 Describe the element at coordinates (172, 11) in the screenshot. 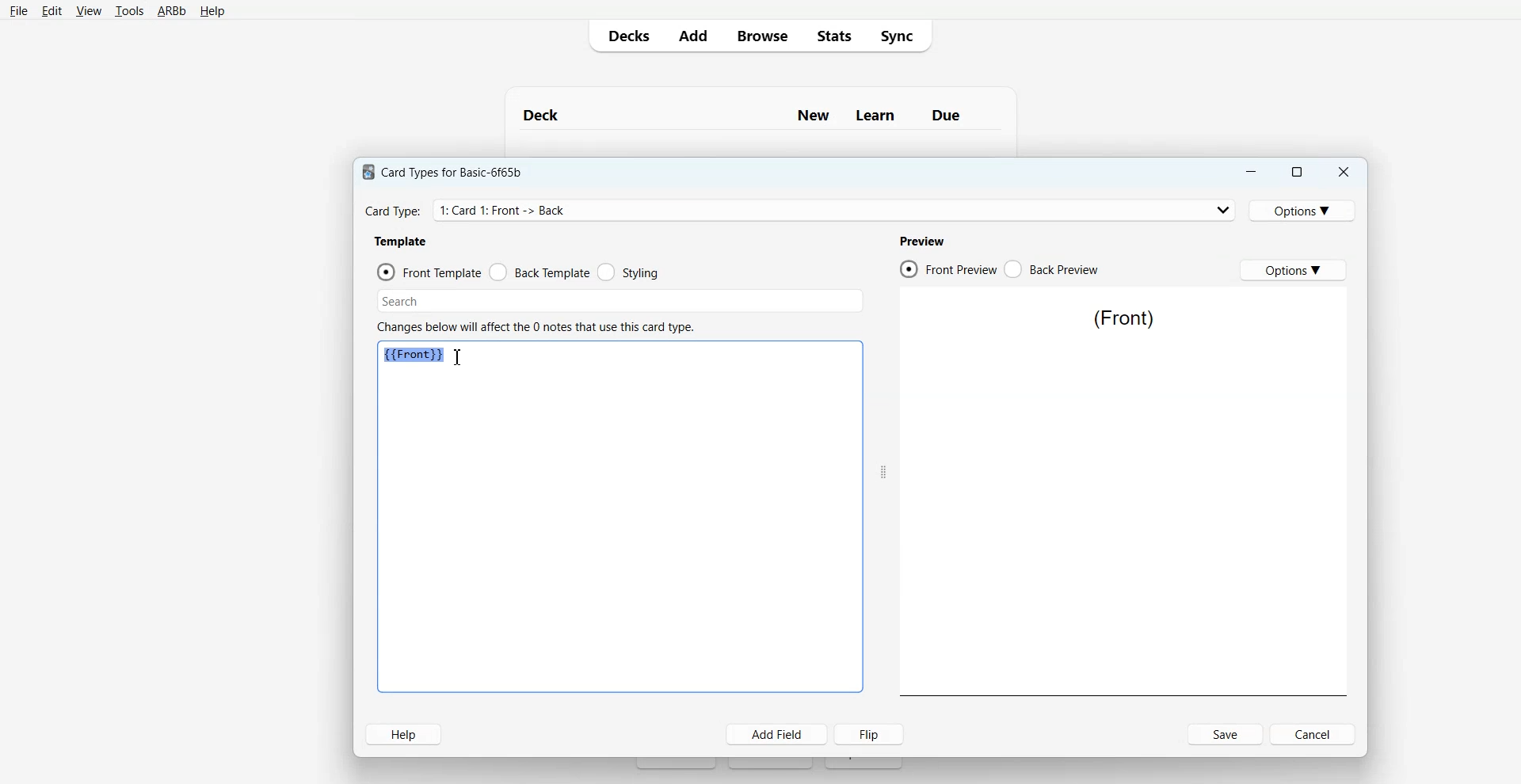

I see `ARBb` at that location.